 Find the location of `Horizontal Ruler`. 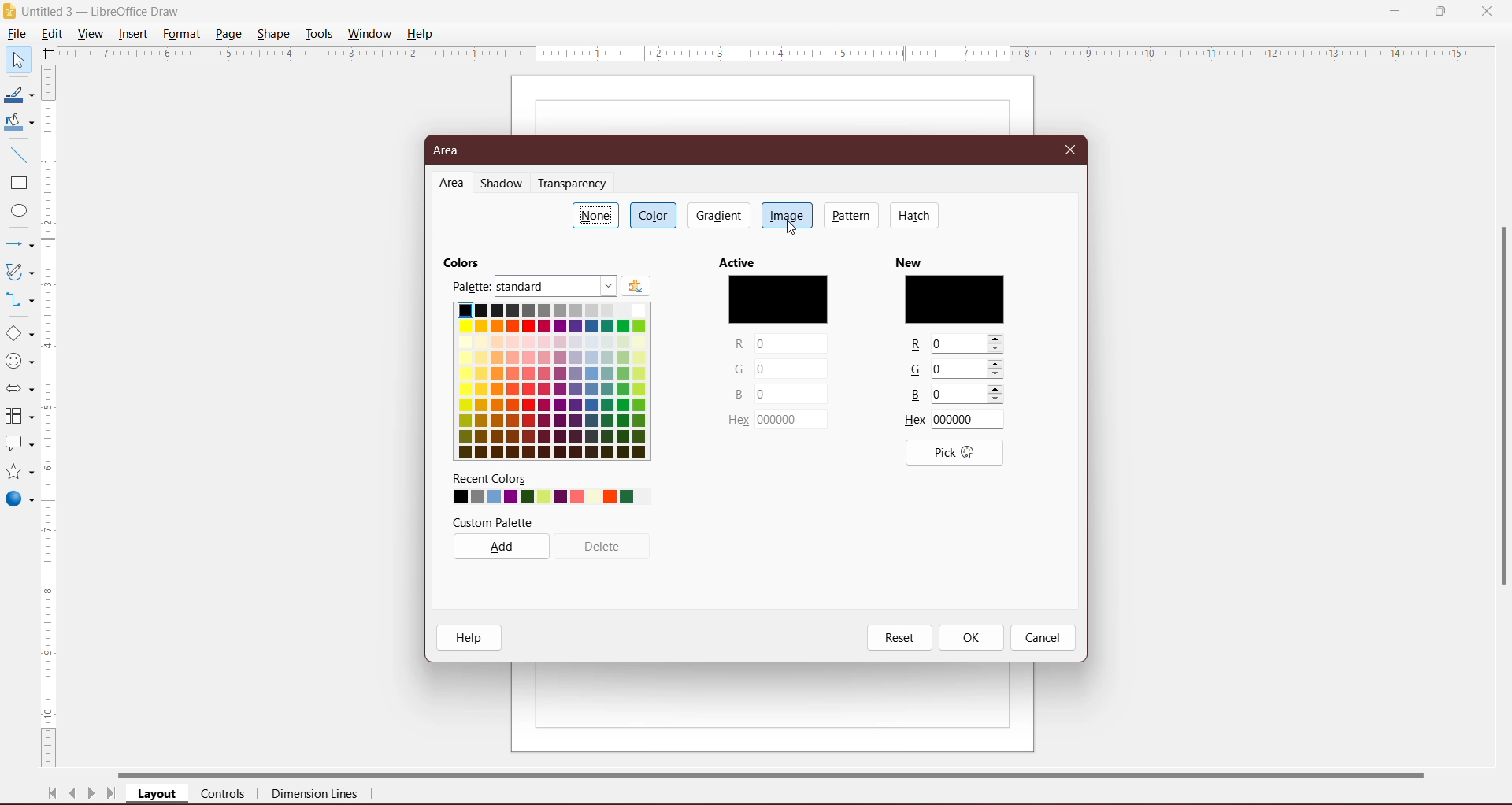

Horizontal Ruler is located at coordinates (776, 53).